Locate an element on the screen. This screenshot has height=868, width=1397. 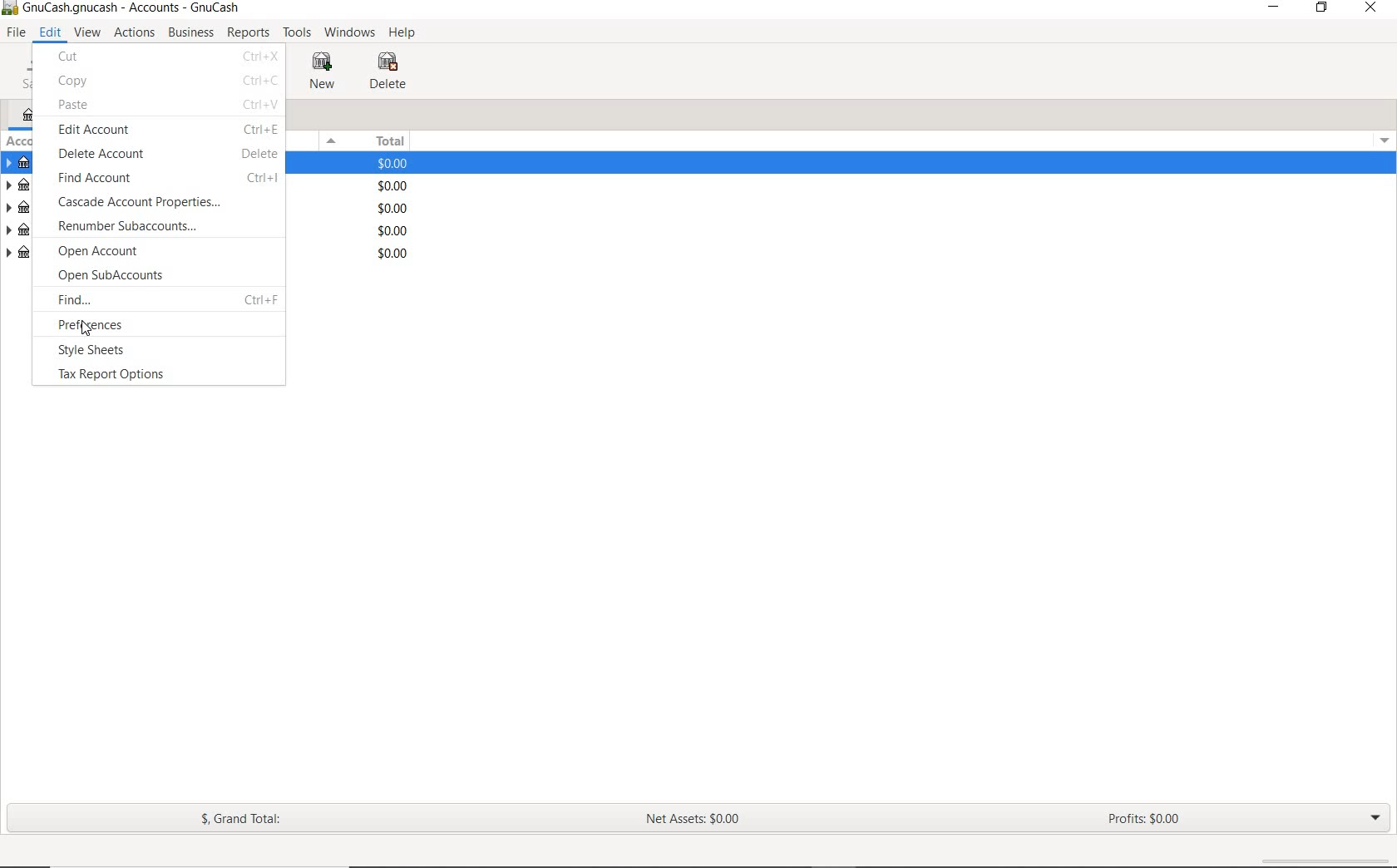
TOOLS is located at coordinates (298, 35).